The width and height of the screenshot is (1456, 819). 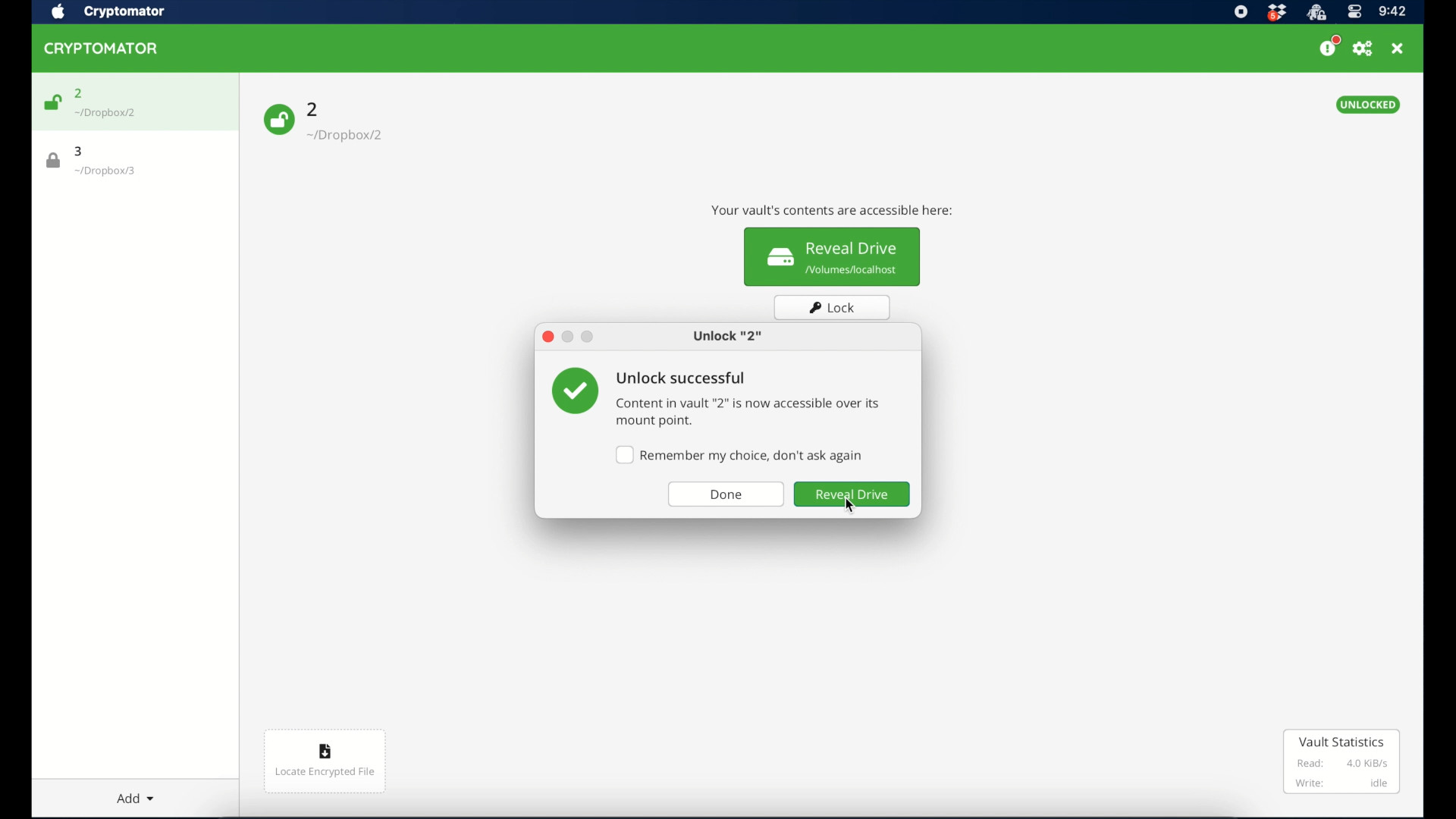 What do you see at coordinates (682, 379) in the screenshot?
I see `unlock successful` at bounding box center [682, 379].